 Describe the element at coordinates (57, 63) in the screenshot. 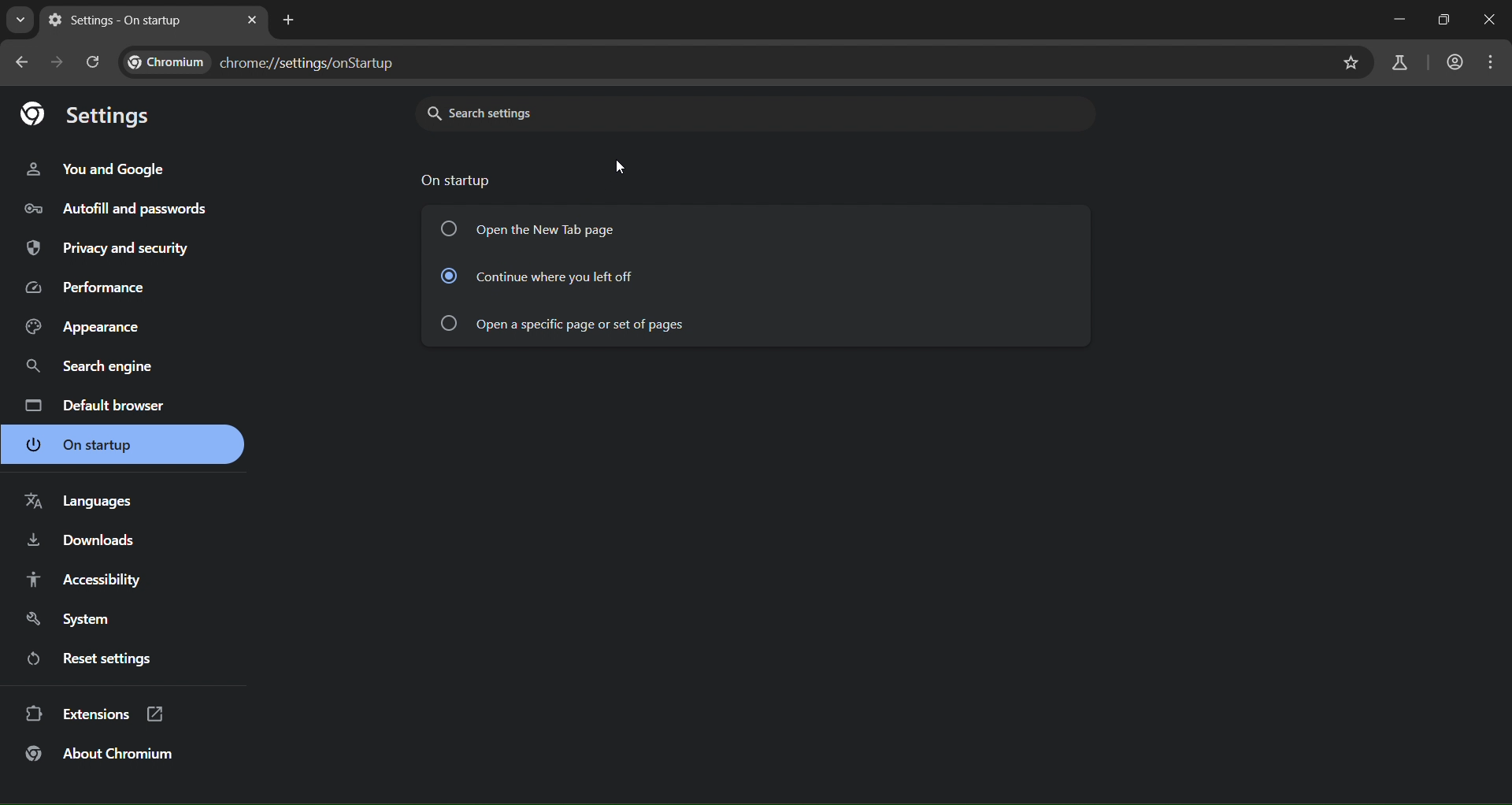

I see `go forward one page` at that location.